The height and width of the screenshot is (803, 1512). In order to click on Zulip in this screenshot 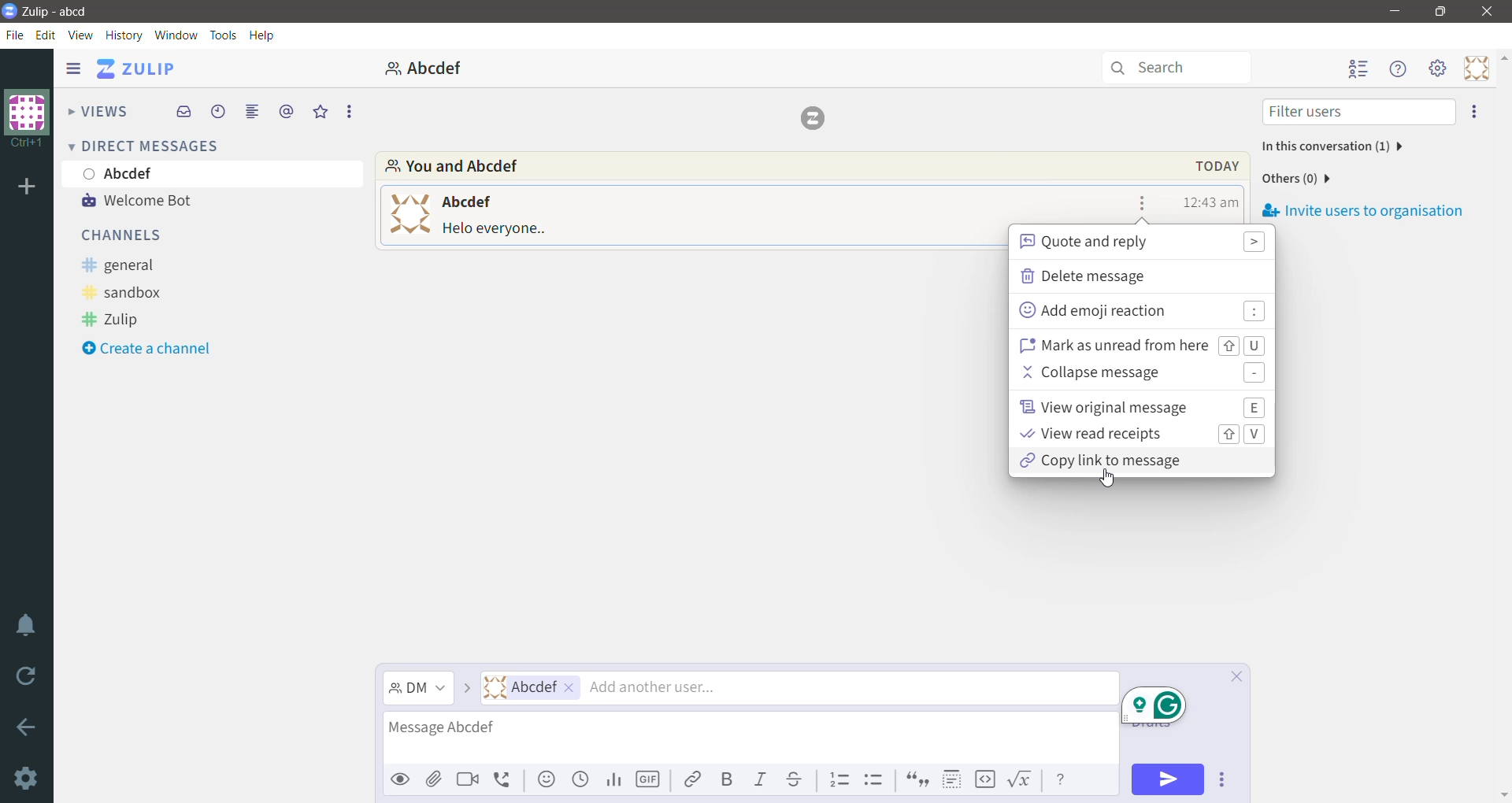, I will do `click(115, 319)`.